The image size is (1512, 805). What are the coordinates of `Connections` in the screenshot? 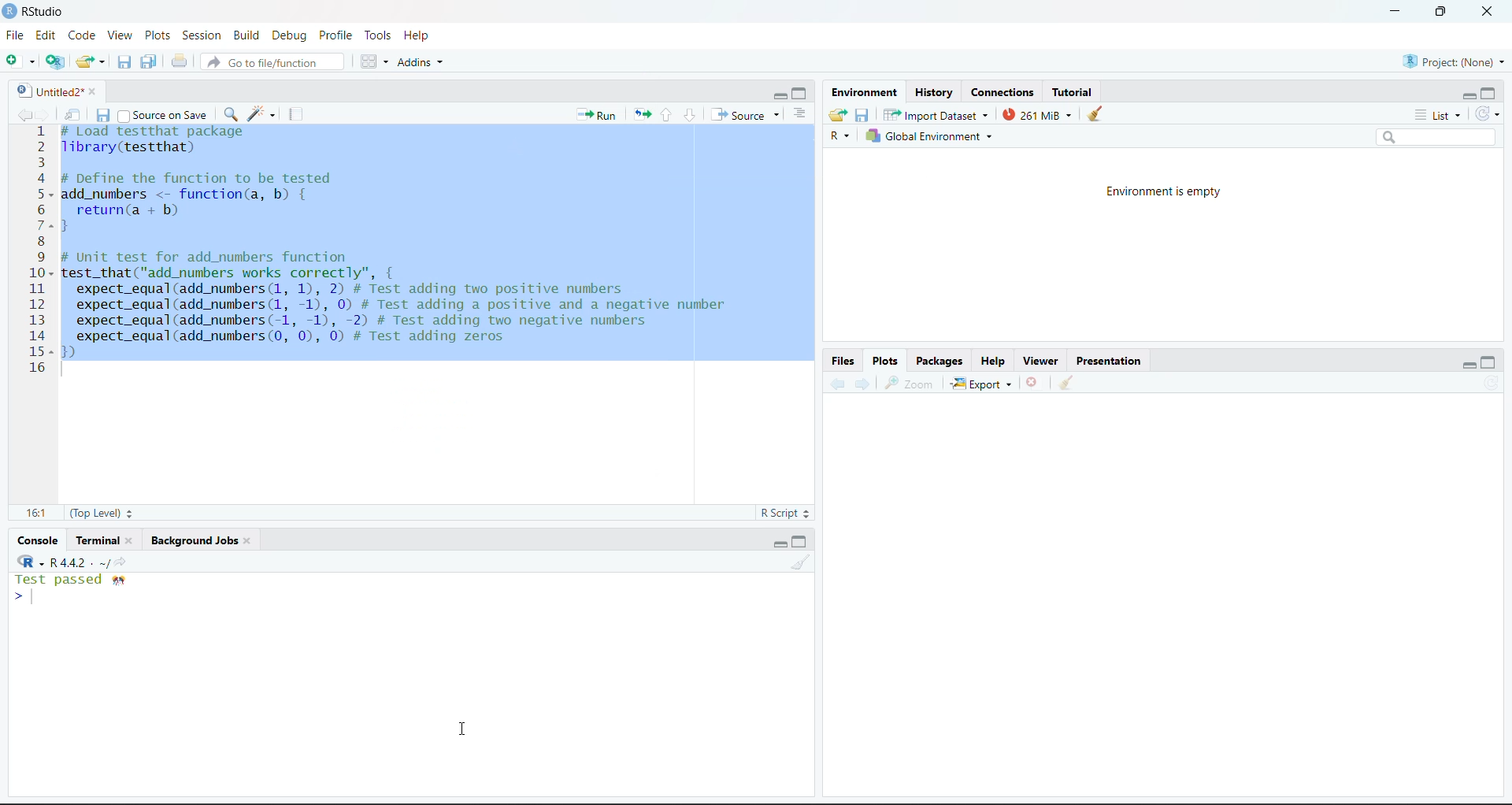 It's located at (1002, 91).